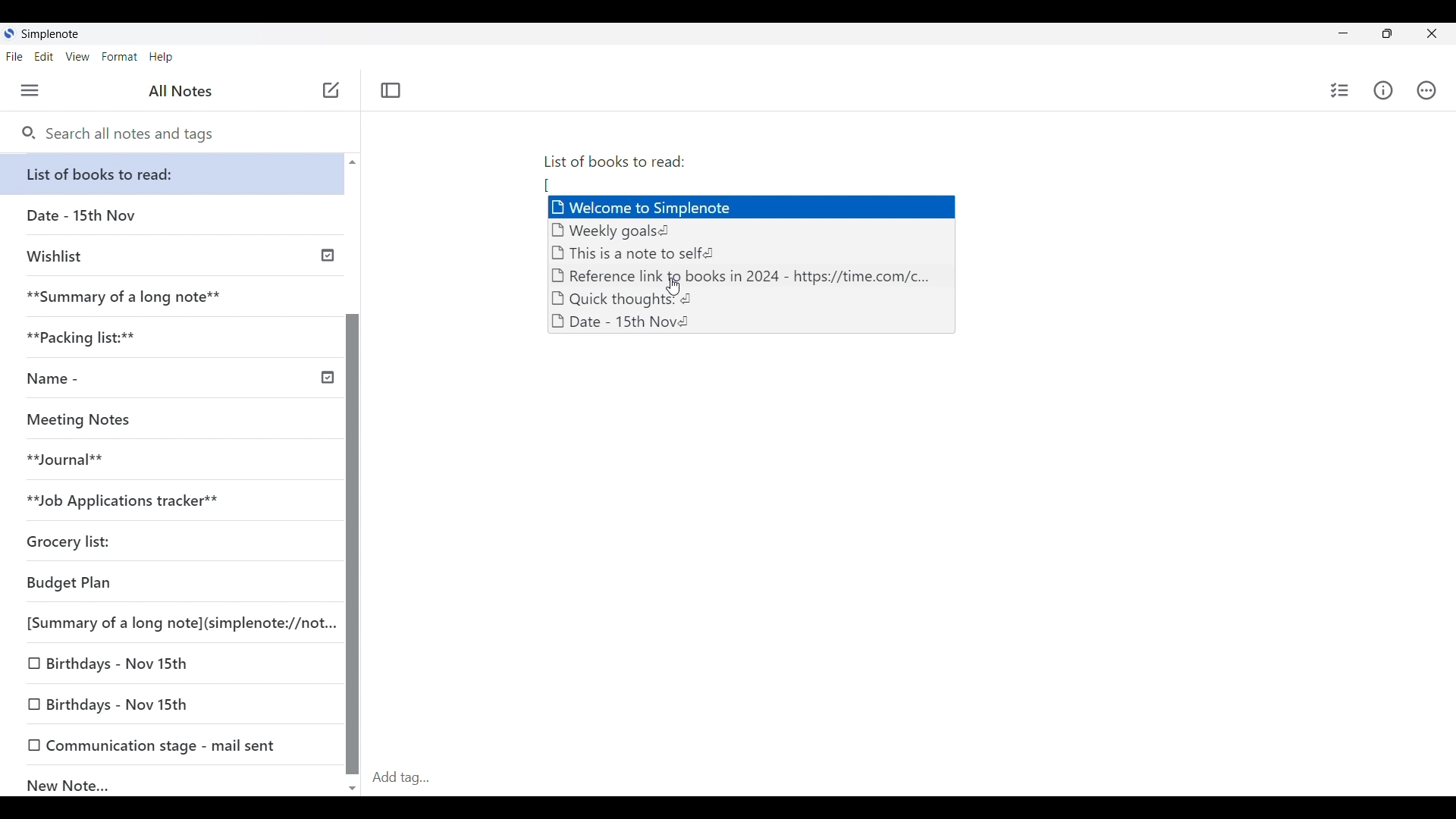 The width and height of the screenshot is (1456, 819). Describe the element at coordinates (410, 777) in the screenshot. I see `Add tag...` at that location.